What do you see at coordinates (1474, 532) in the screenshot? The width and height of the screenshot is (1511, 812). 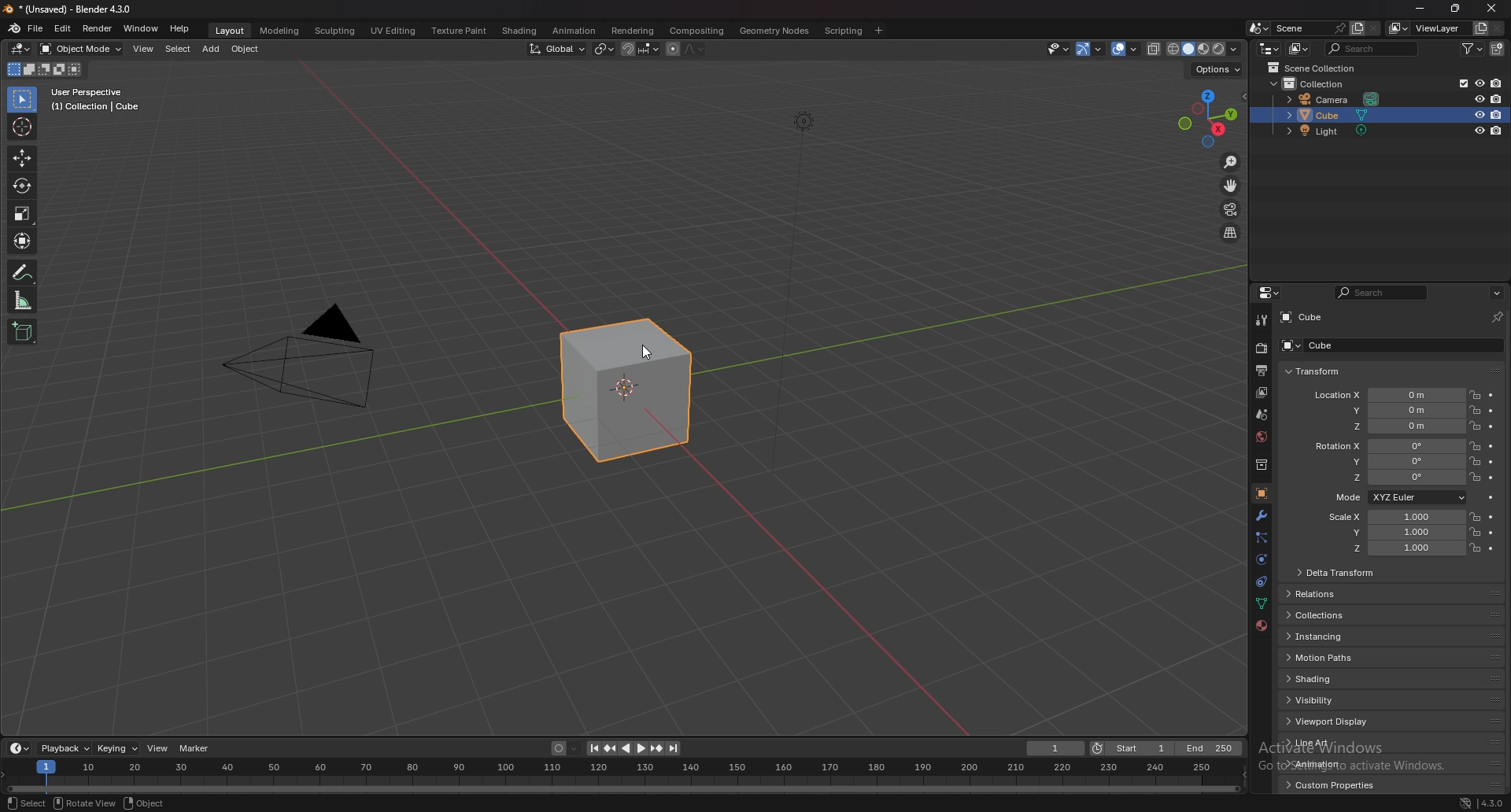 I see `lock` at bounding box center [1474, 532].